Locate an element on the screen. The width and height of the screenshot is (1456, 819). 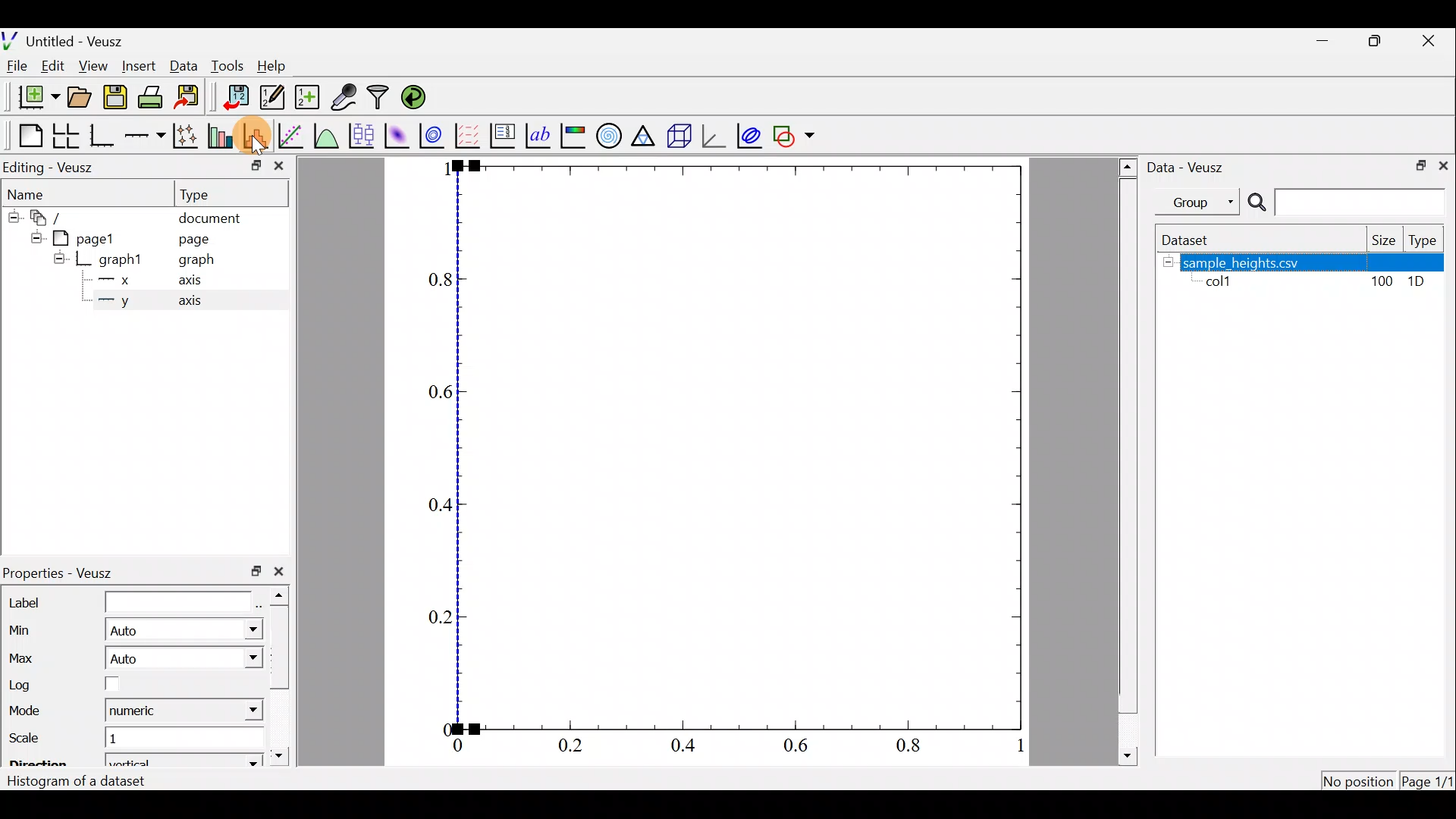
plot bar charts is located at coordinates (221, 136).